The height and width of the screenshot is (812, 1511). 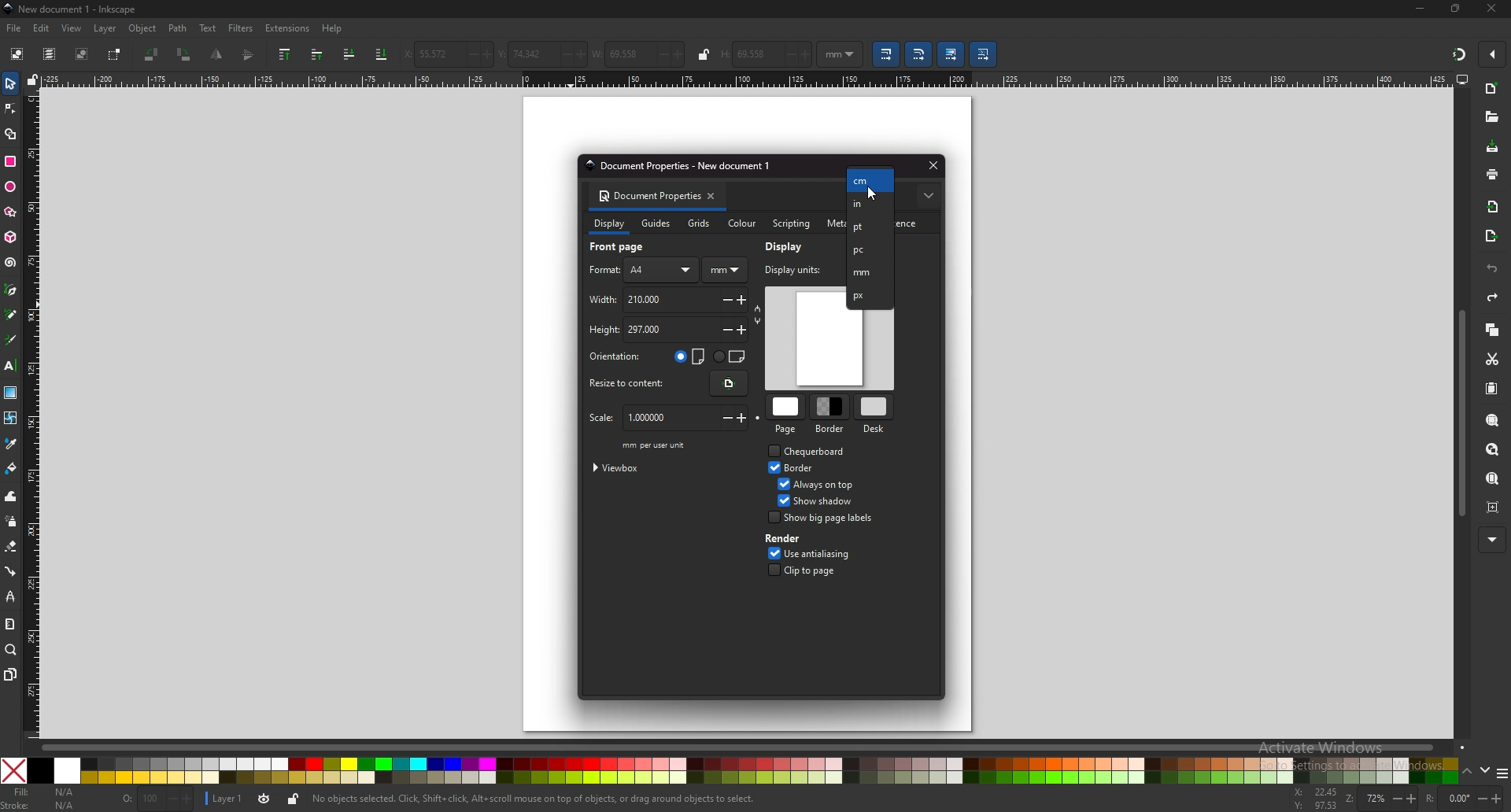 I want to click on pt, so click(x=869, y=227).